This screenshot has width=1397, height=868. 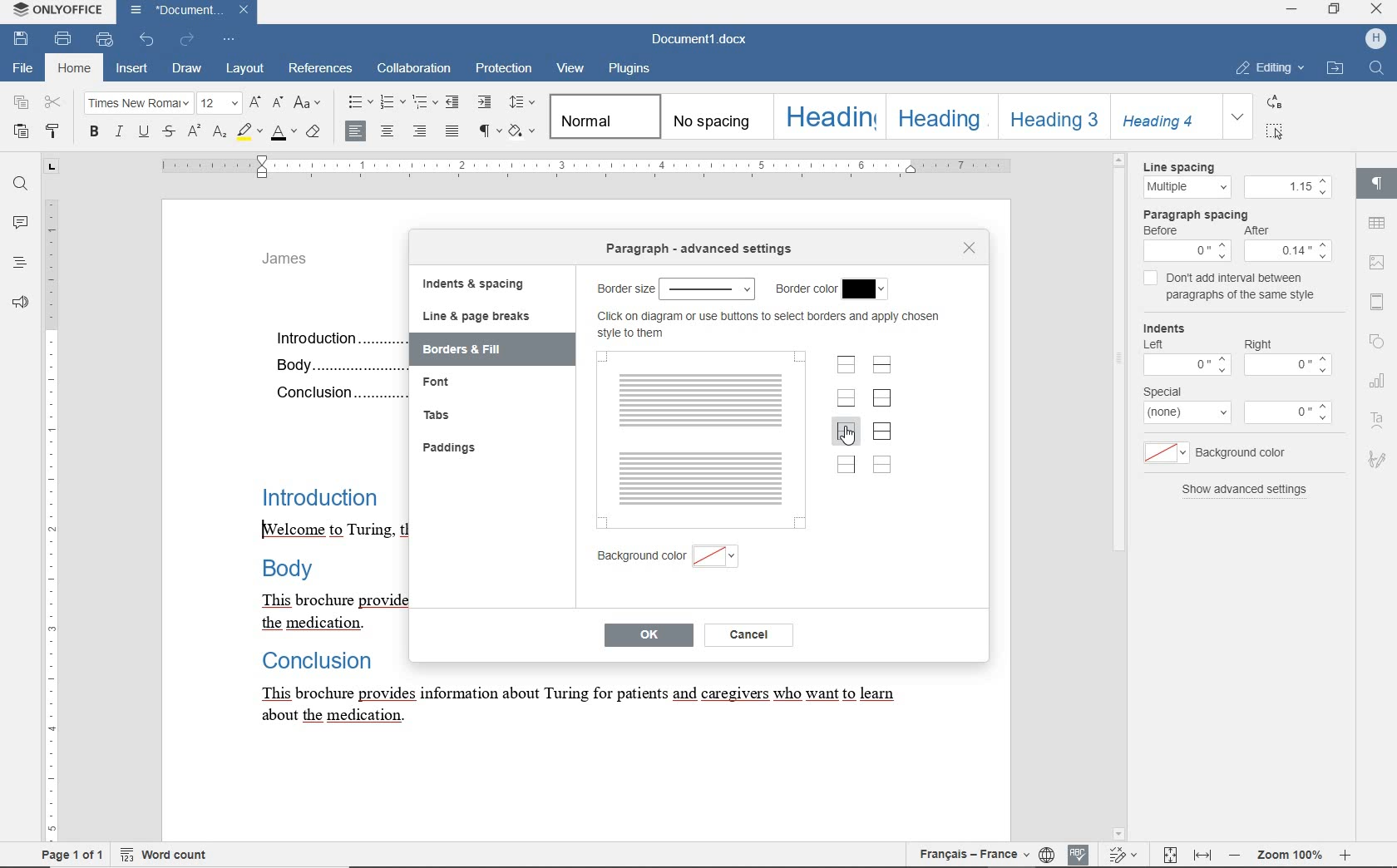 What do you see at coordinates (847, 367) in the screenshot?
I see `set top border only` at bounding box center [847, 367].